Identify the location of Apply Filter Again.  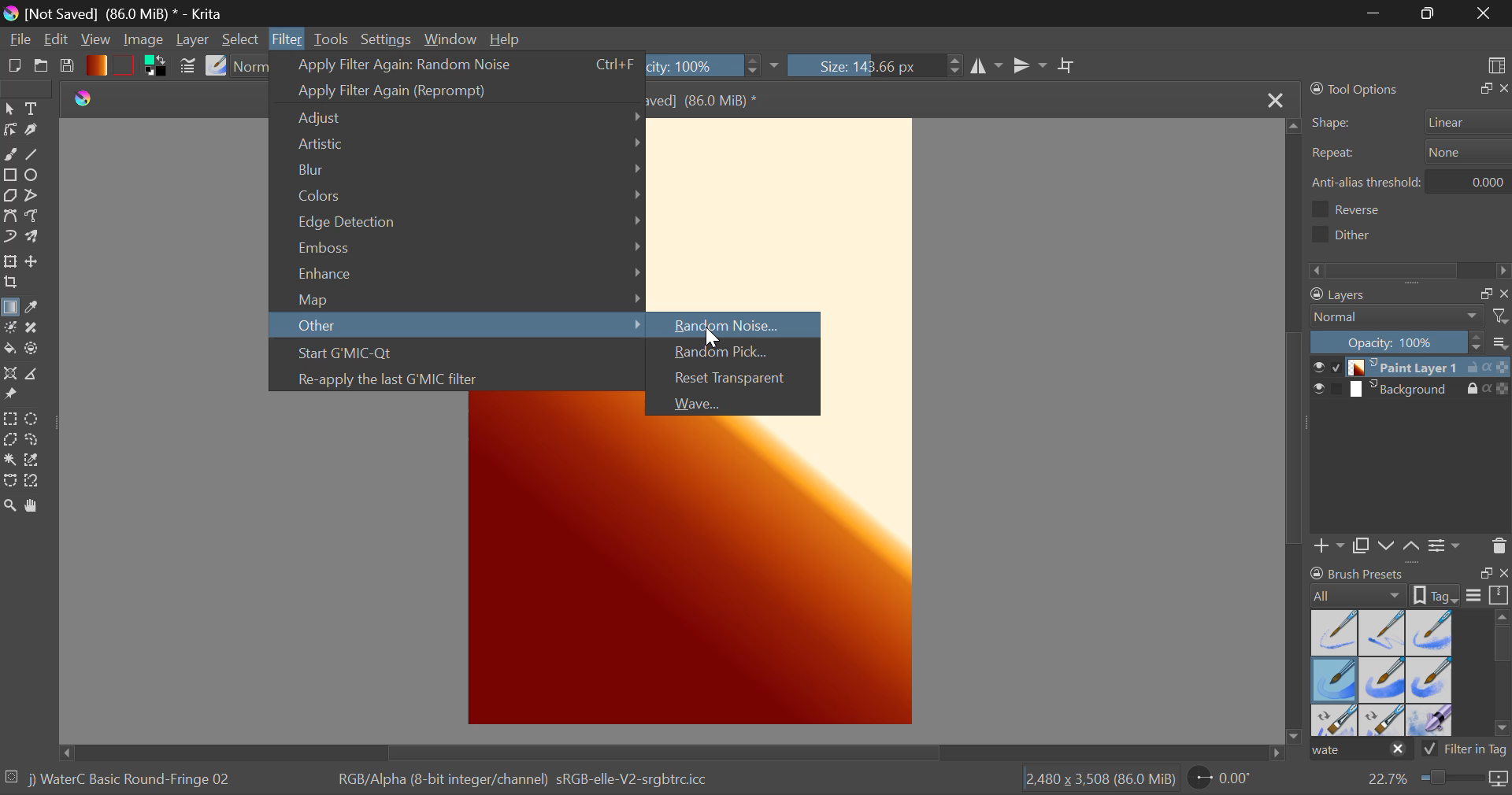
(457, 65).